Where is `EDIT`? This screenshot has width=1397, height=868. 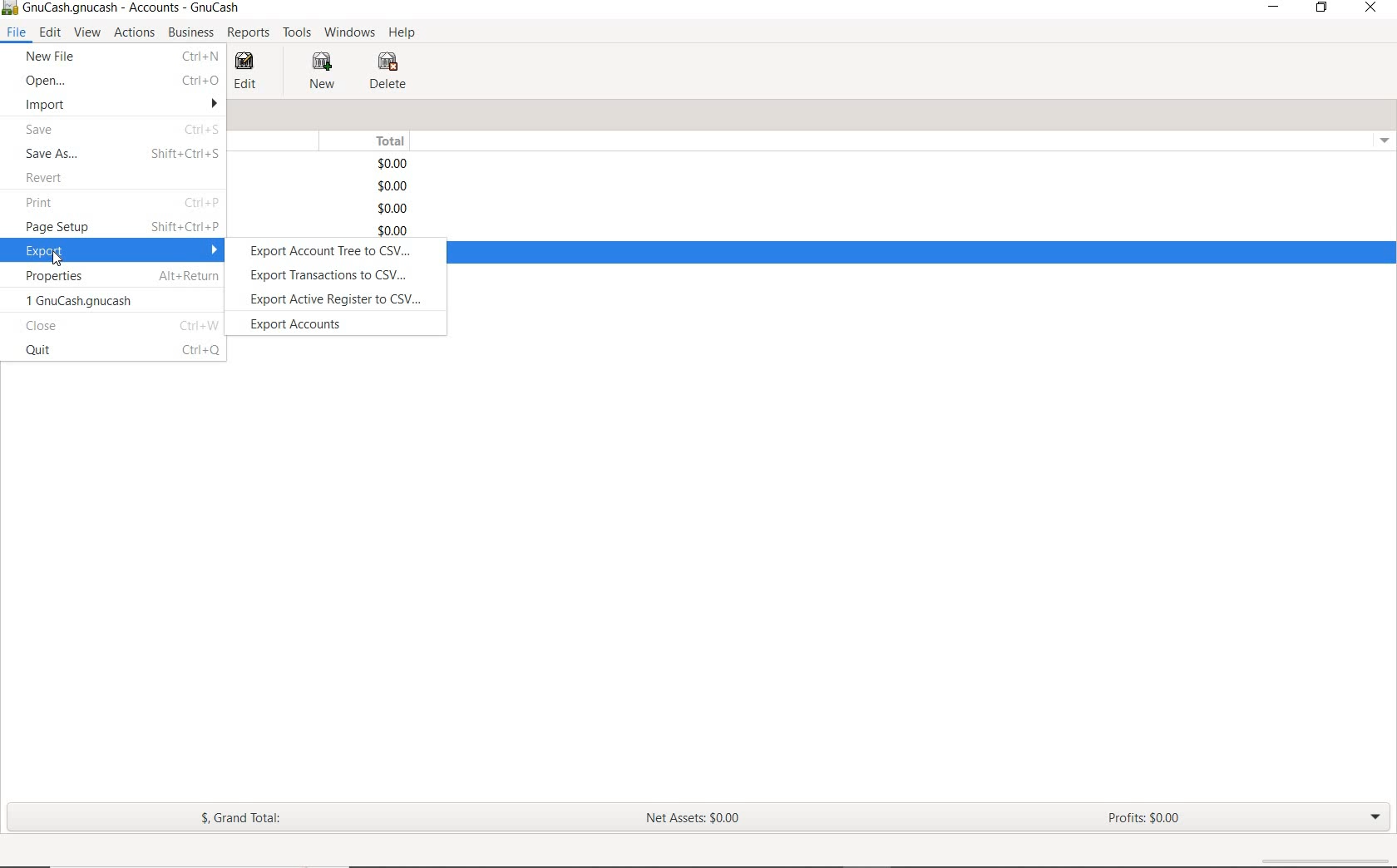
EDIT is located at coordinates (51, 33).